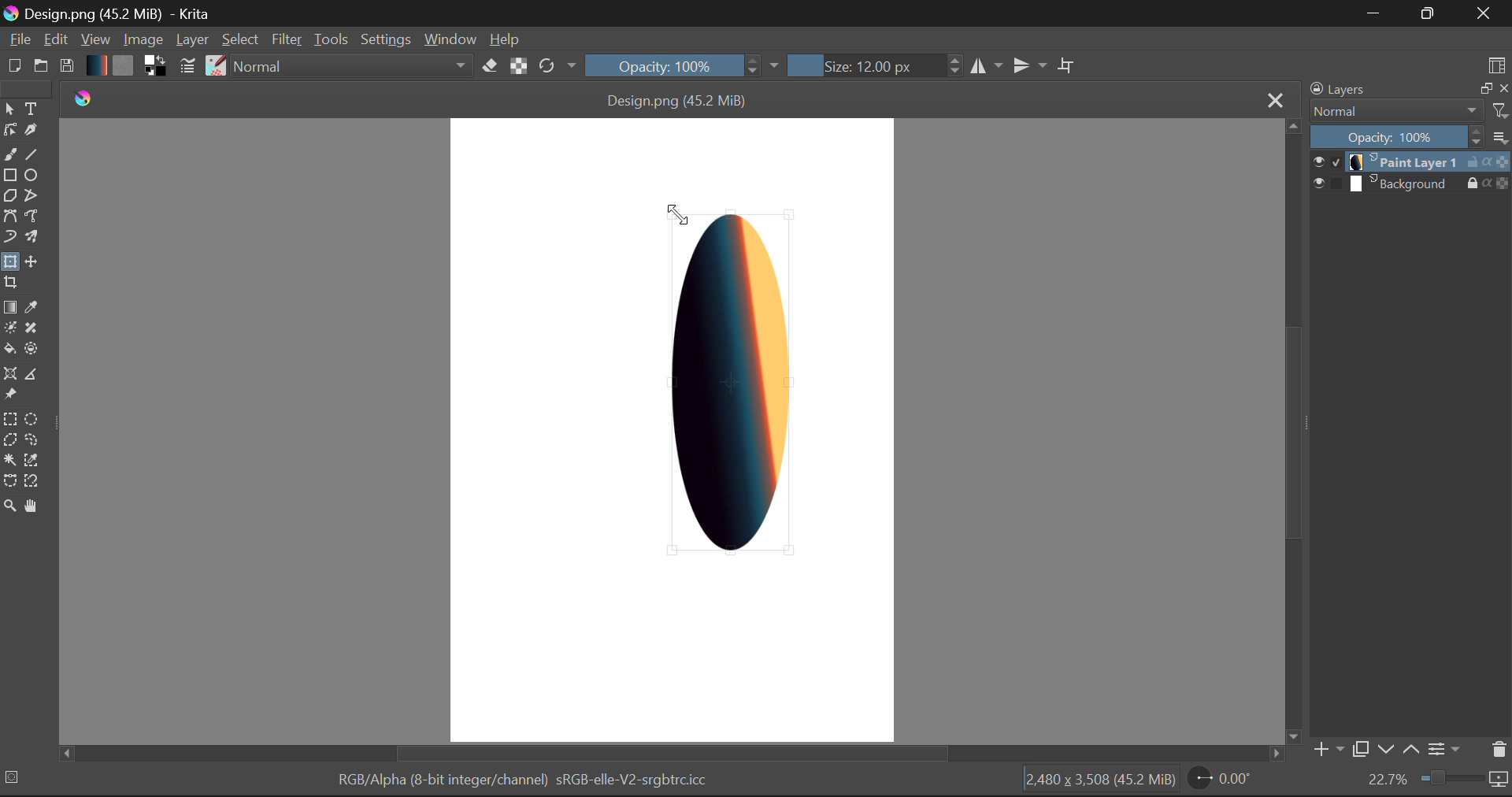 The height and width of the screenshot is (797, 1512). What do you see at coordinates (32, 328) in the screenshot?
I see `Smart Patch Tool` at bounding box center [32, 328].